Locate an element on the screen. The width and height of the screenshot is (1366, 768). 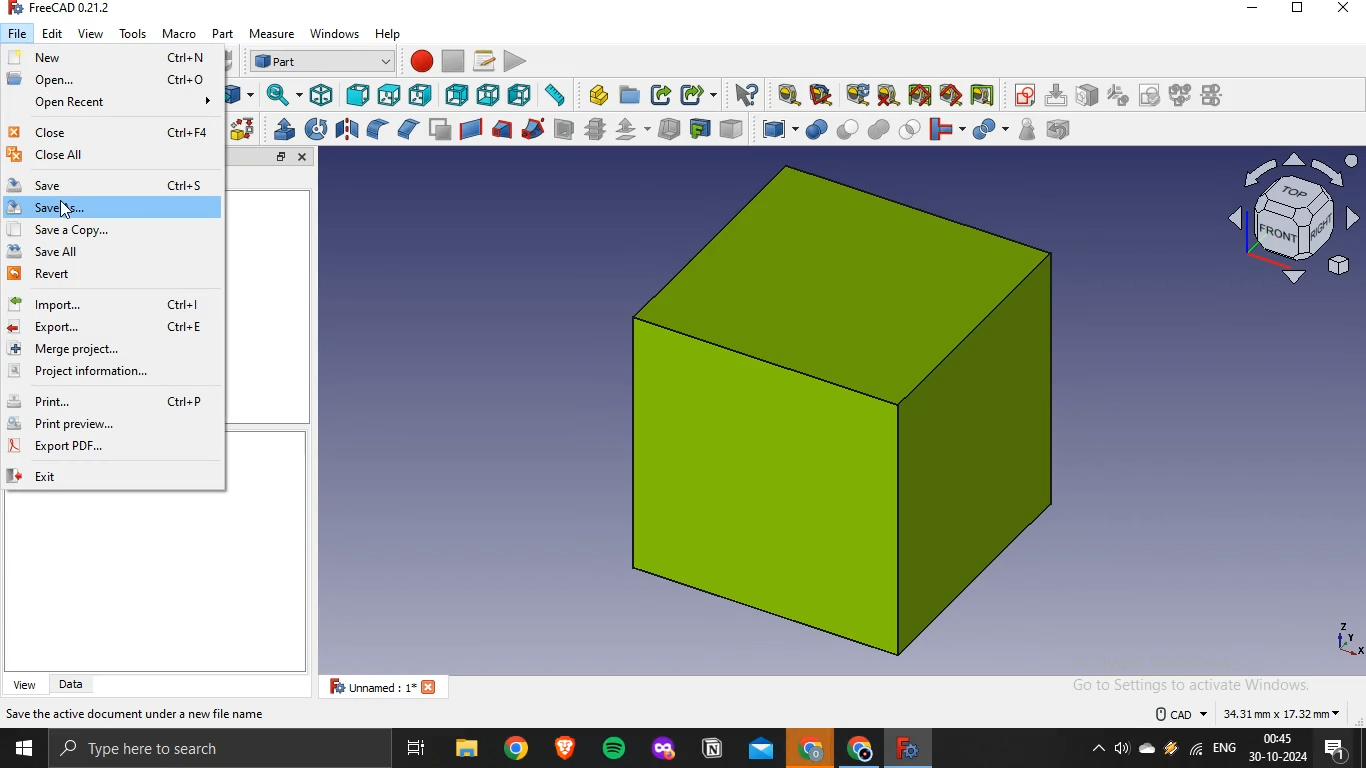
icon is located at coordinates (1120, 94).